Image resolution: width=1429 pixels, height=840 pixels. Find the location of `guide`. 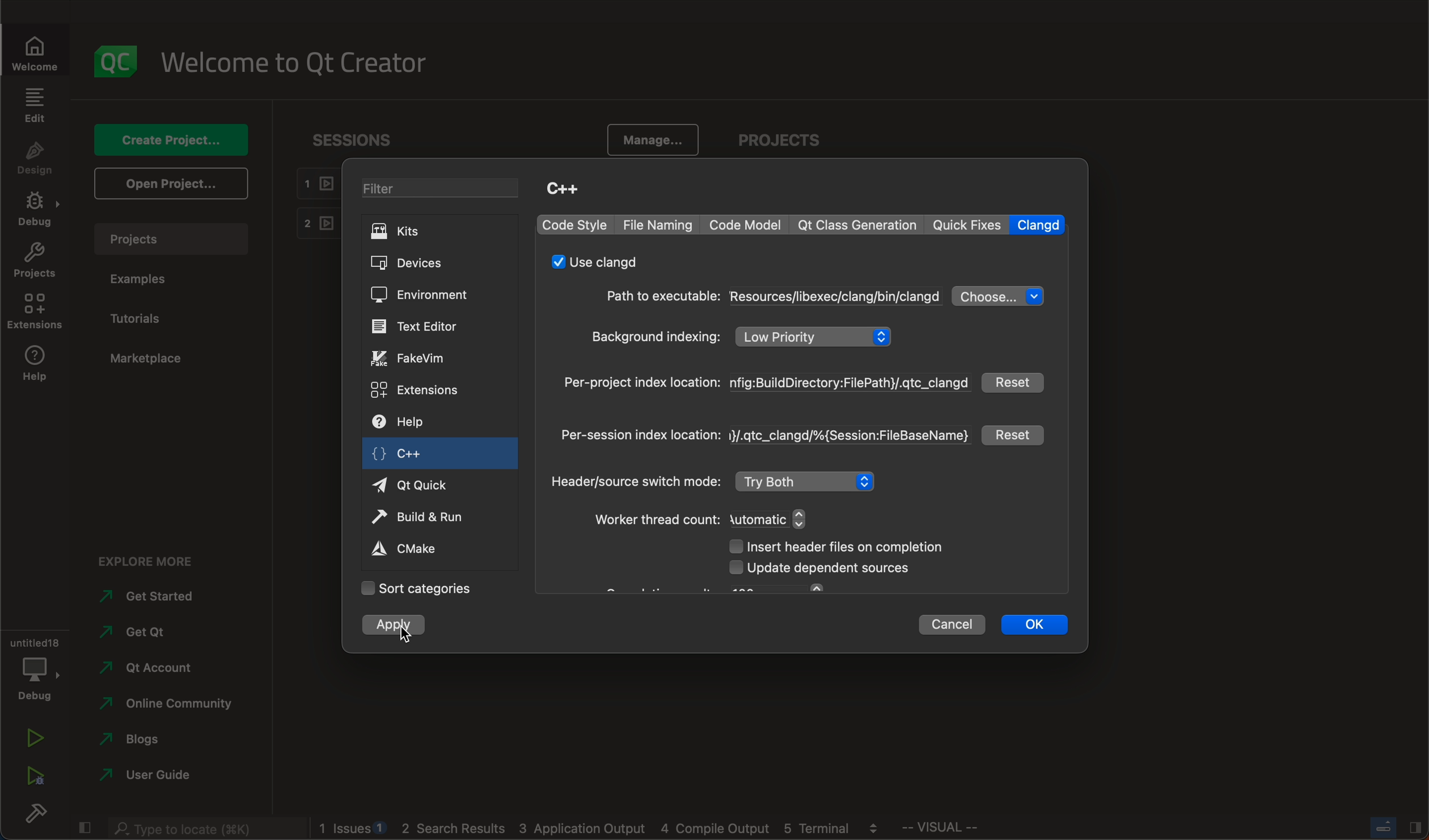

guide is located at coordinates (150, 773).